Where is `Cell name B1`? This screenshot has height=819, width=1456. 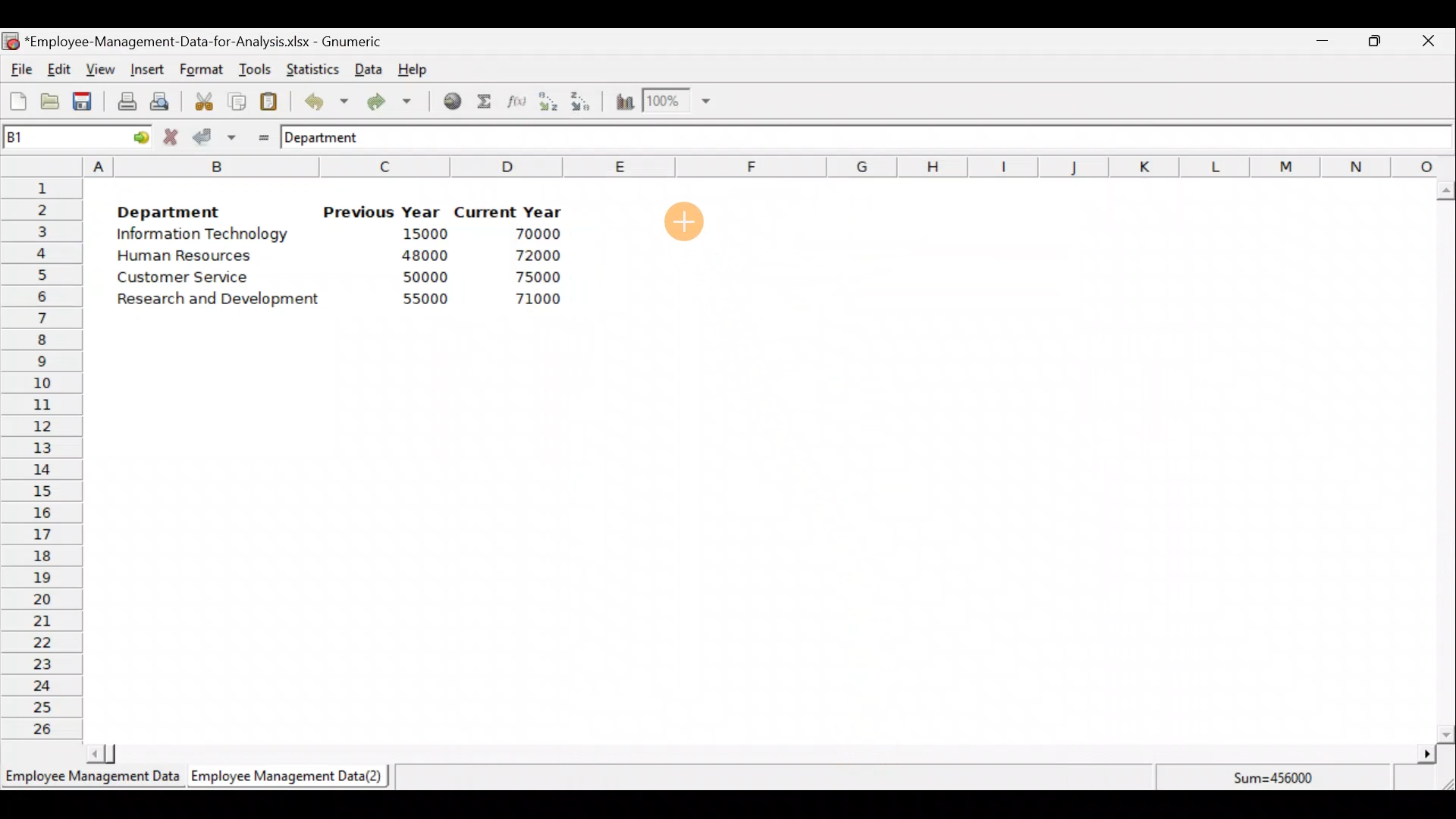 Cell name B1 is located at coordinates (50, 136).